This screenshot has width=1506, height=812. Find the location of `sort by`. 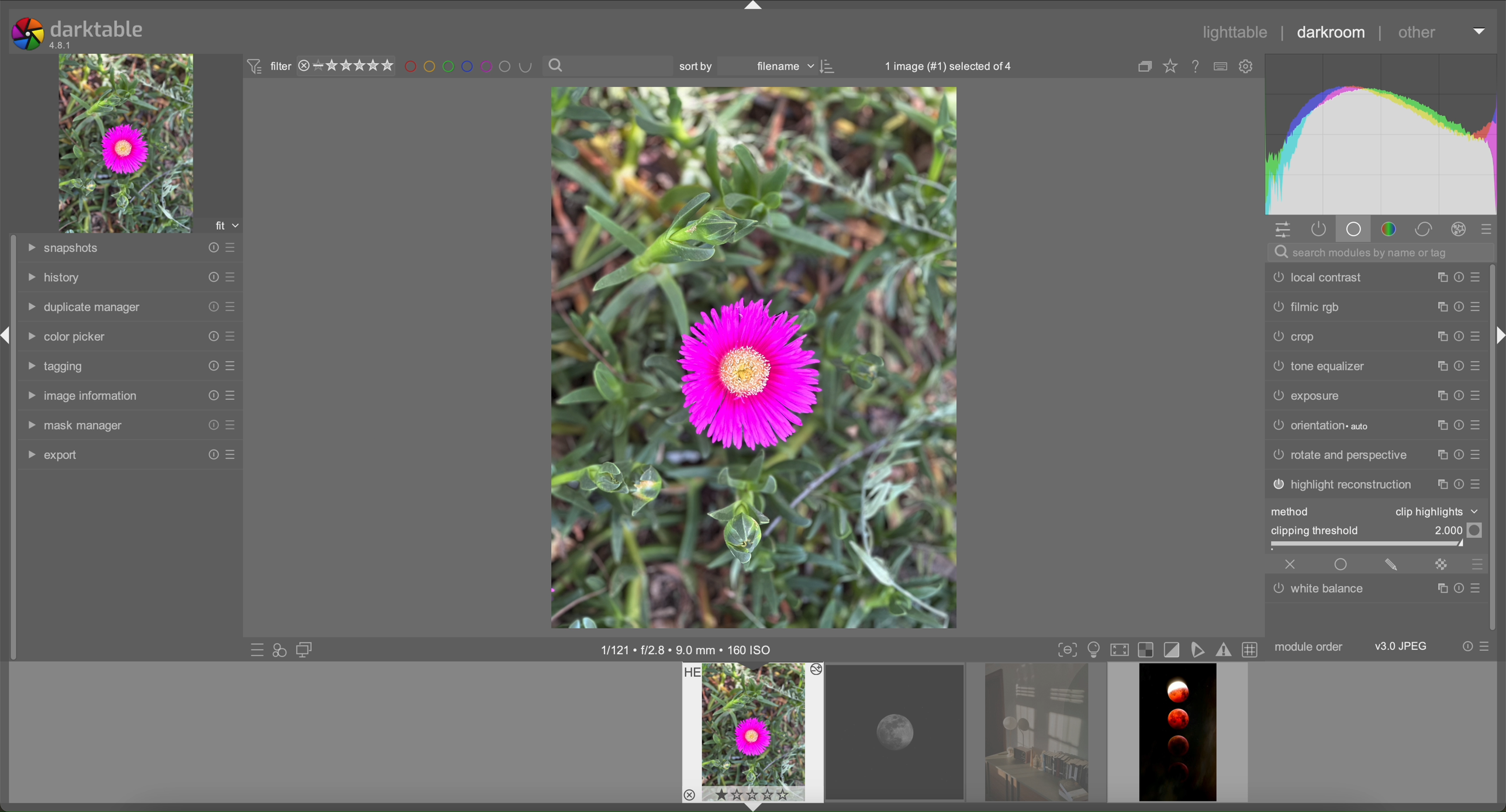

sort by is located at coordinates (700, 66).